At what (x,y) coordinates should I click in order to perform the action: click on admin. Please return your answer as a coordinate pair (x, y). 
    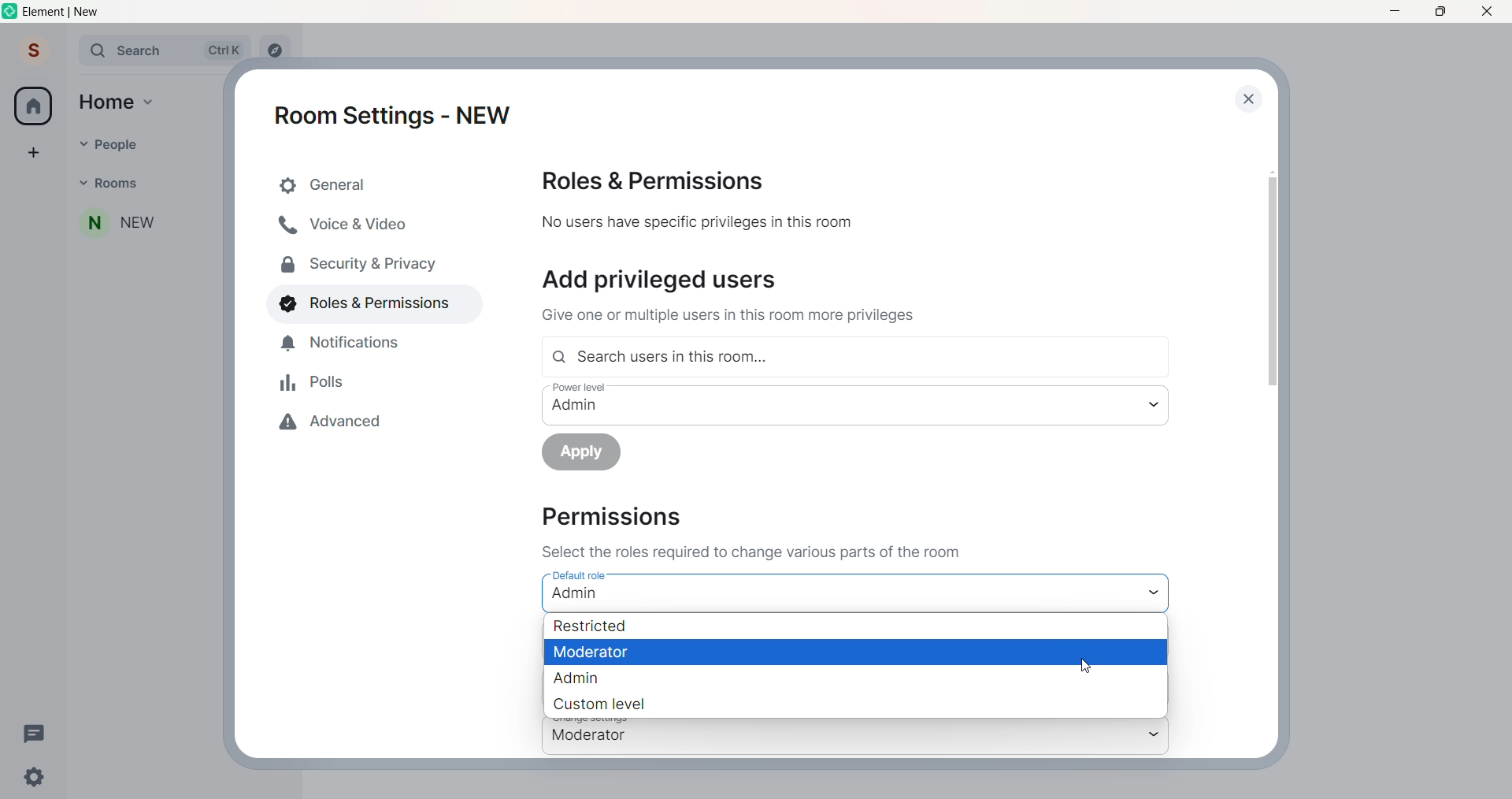
    Looking at the image, I should click on (590, 678).